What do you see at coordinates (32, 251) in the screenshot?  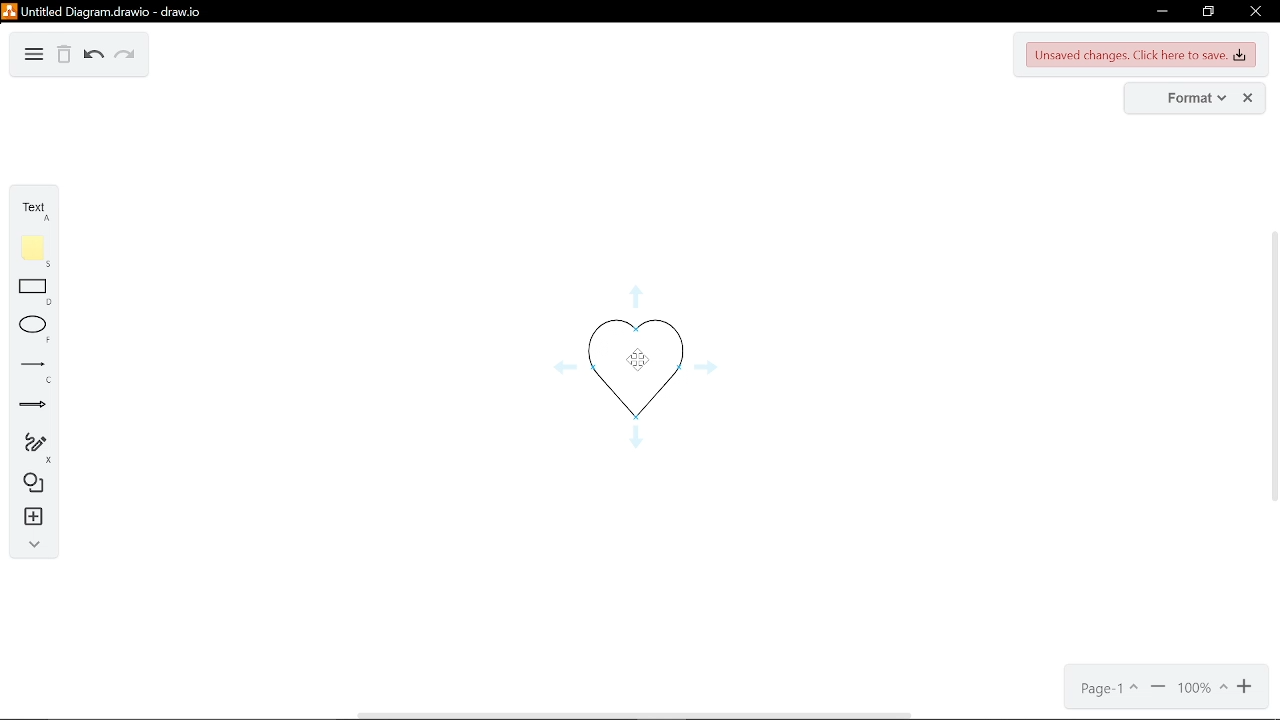 I see `note` at bounding box center [32, 251].